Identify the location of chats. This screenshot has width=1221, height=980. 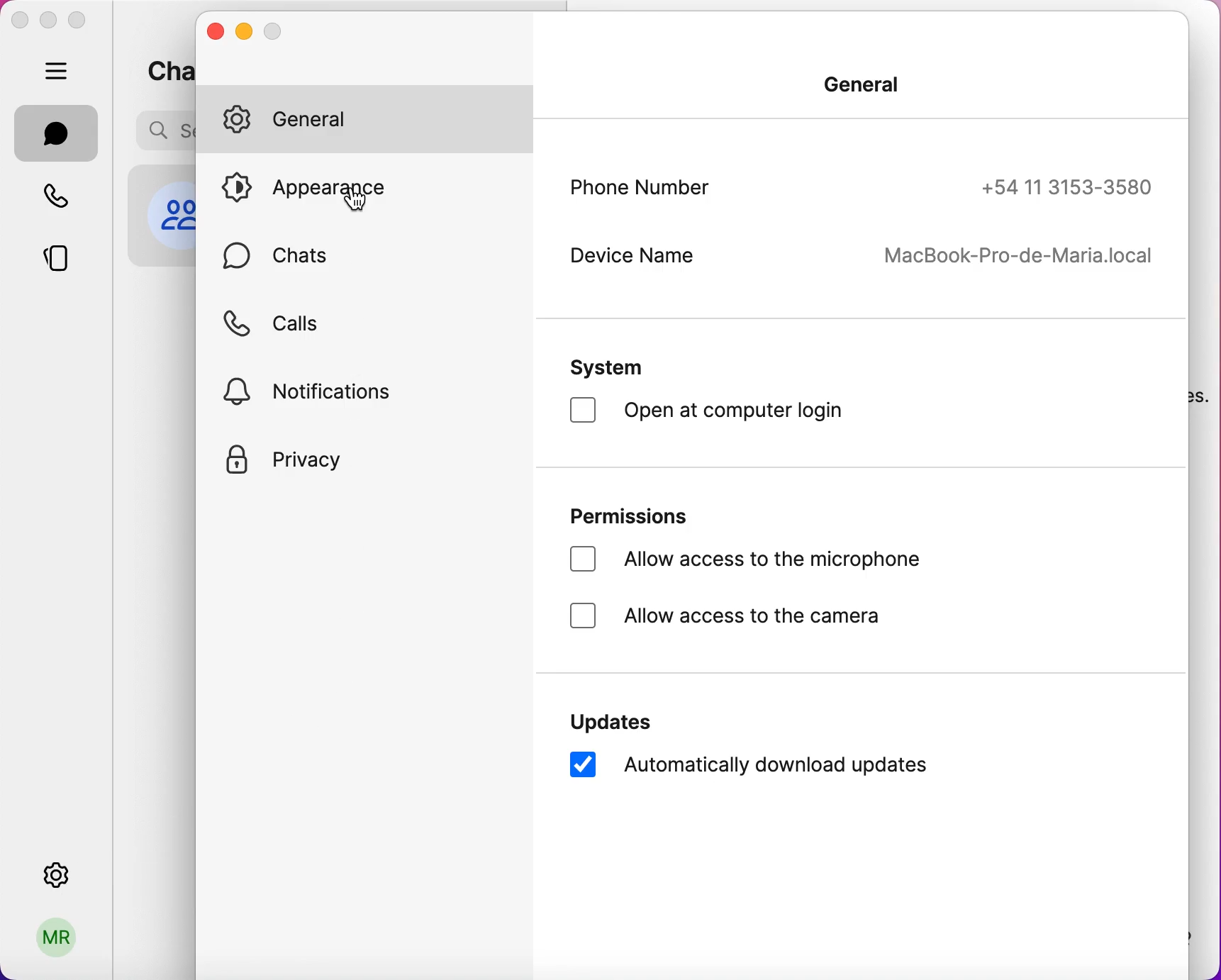
(291, 257).